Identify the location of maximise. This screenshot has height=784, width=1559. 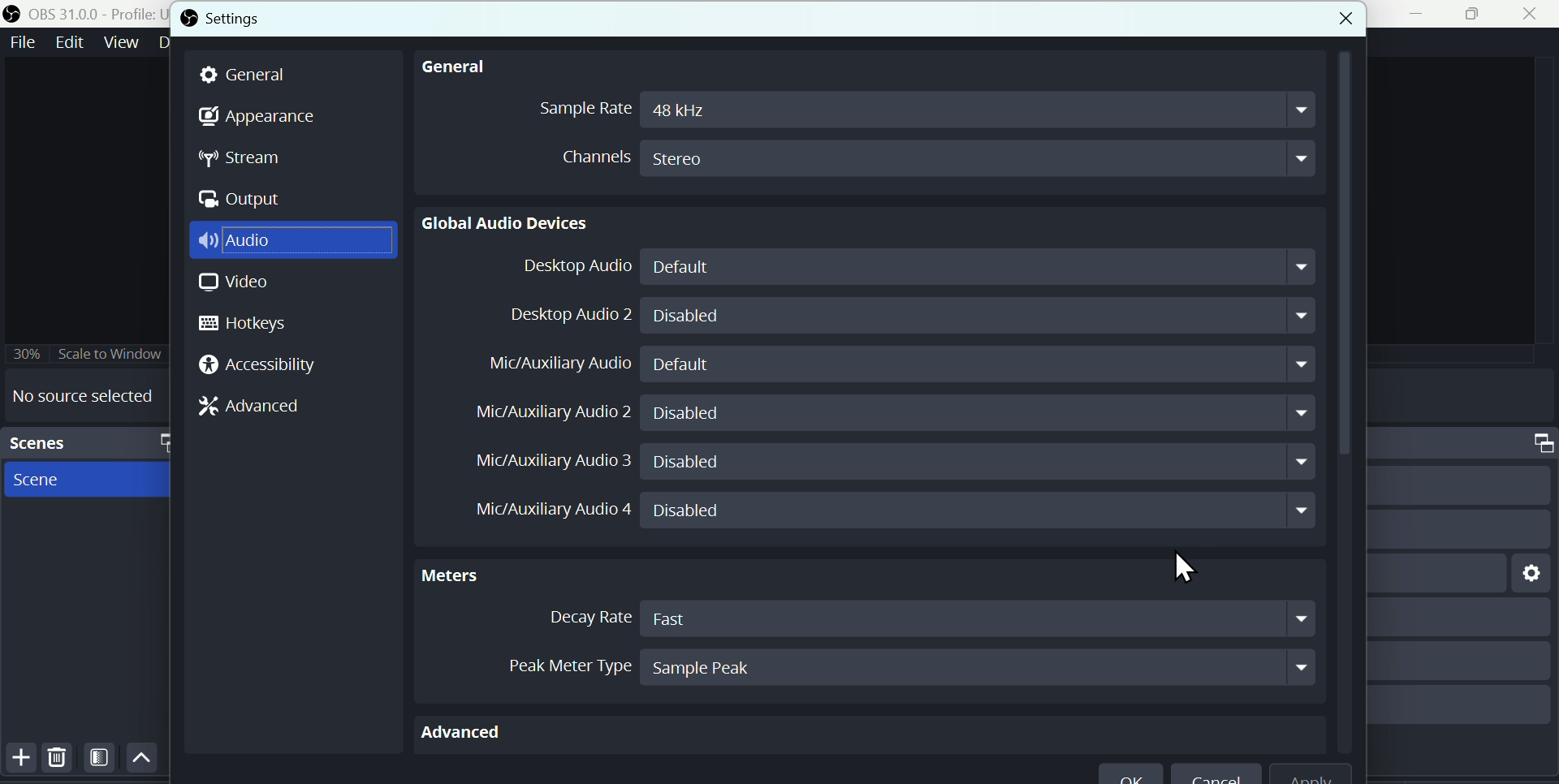
(1476, 15).